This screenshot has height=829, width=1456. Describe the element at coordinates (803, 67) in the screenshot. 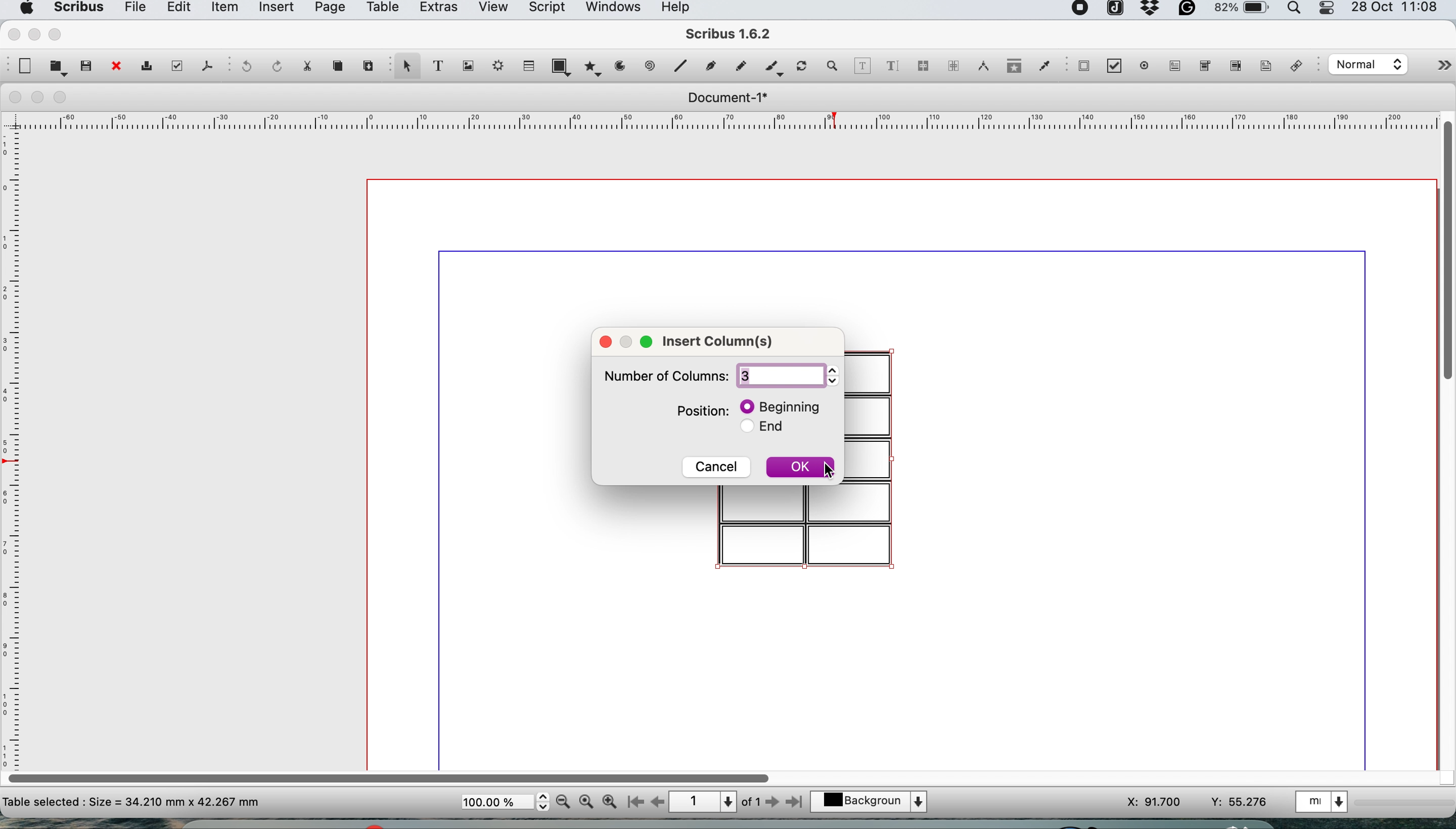

I see `rotate` at that location.